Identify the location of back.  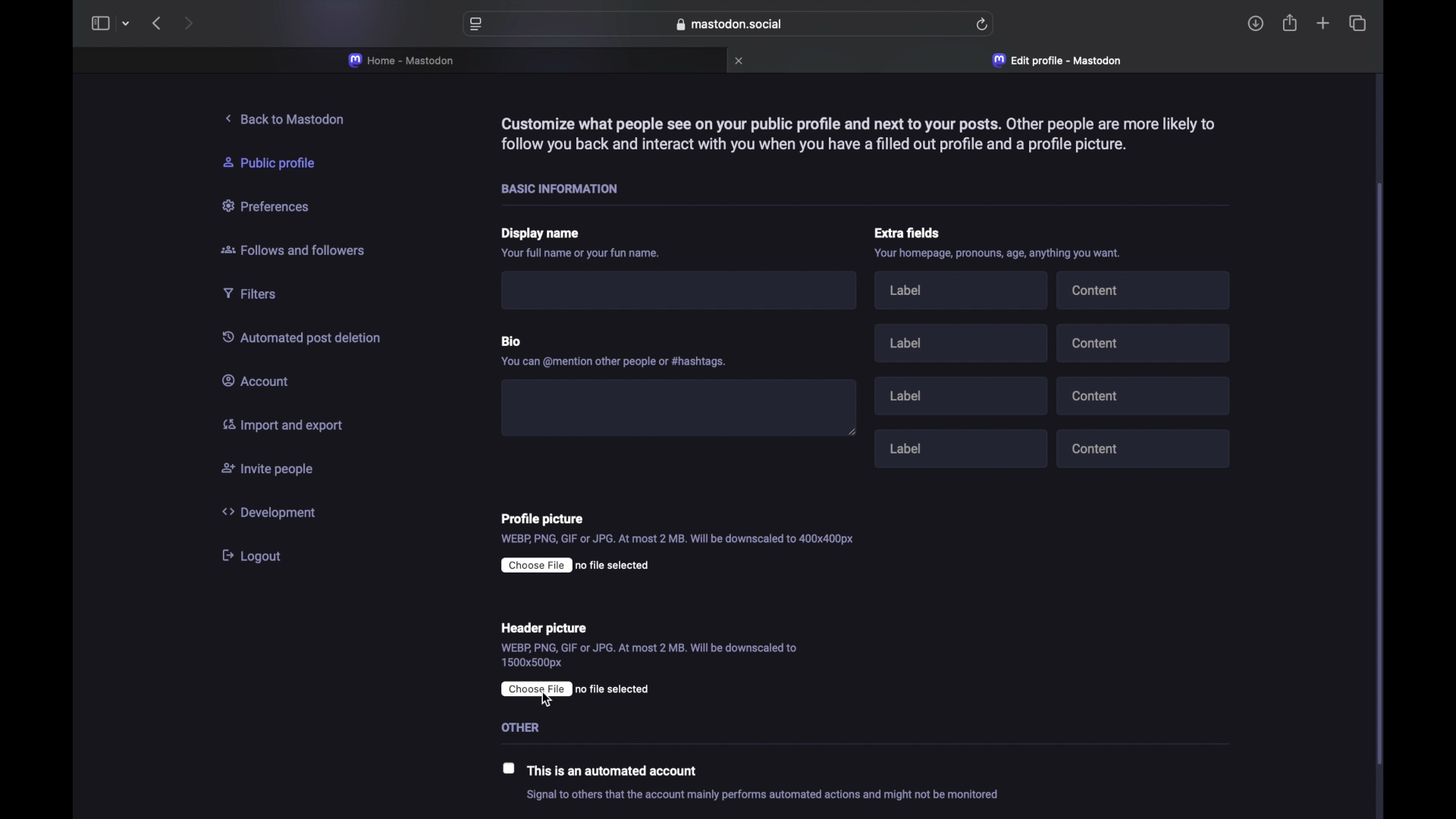
(156, 24).